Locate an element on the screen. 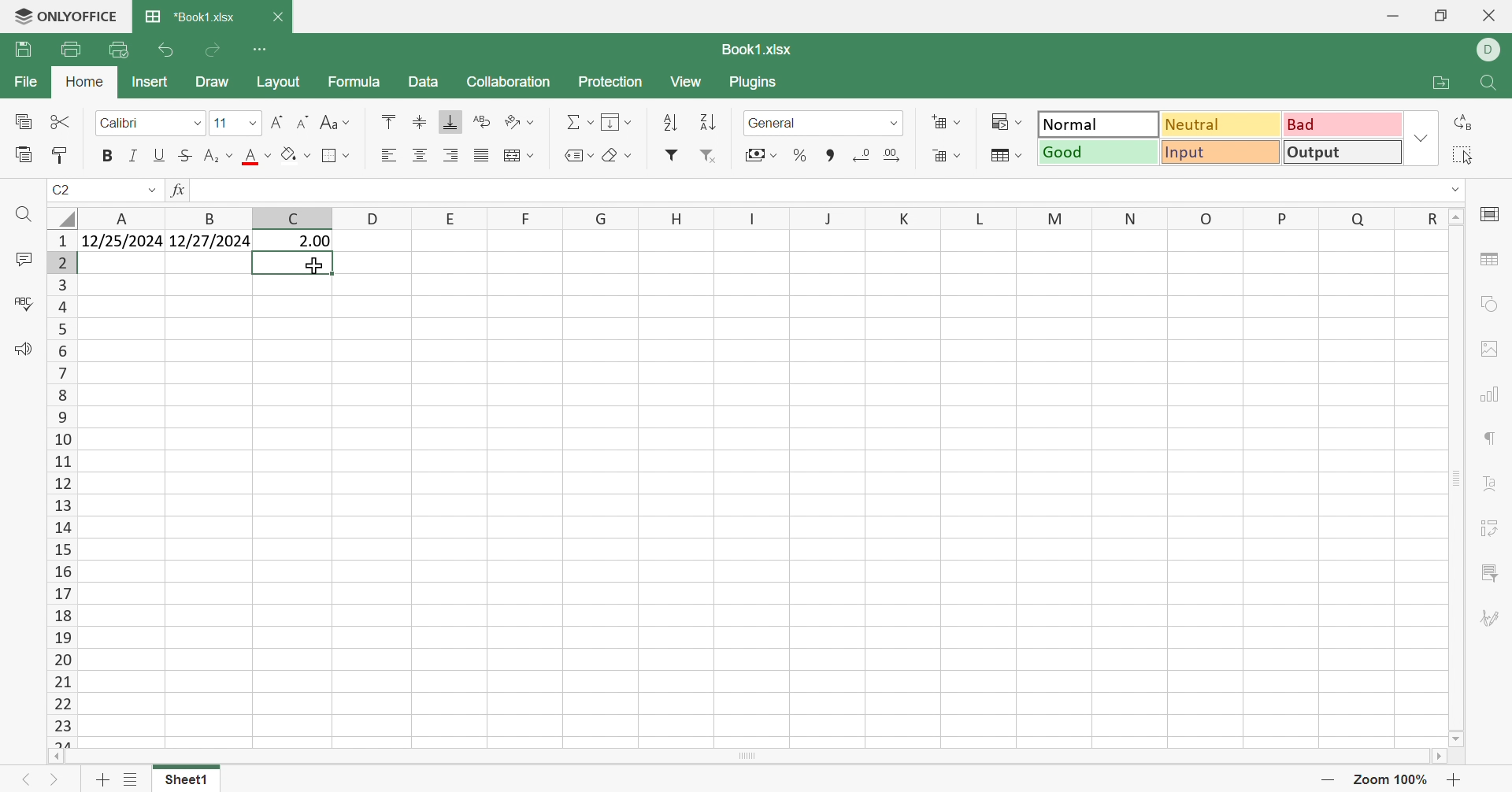 The width and height of the screenshot is (1512, 792). Undo is located at coordinates (162, 52).